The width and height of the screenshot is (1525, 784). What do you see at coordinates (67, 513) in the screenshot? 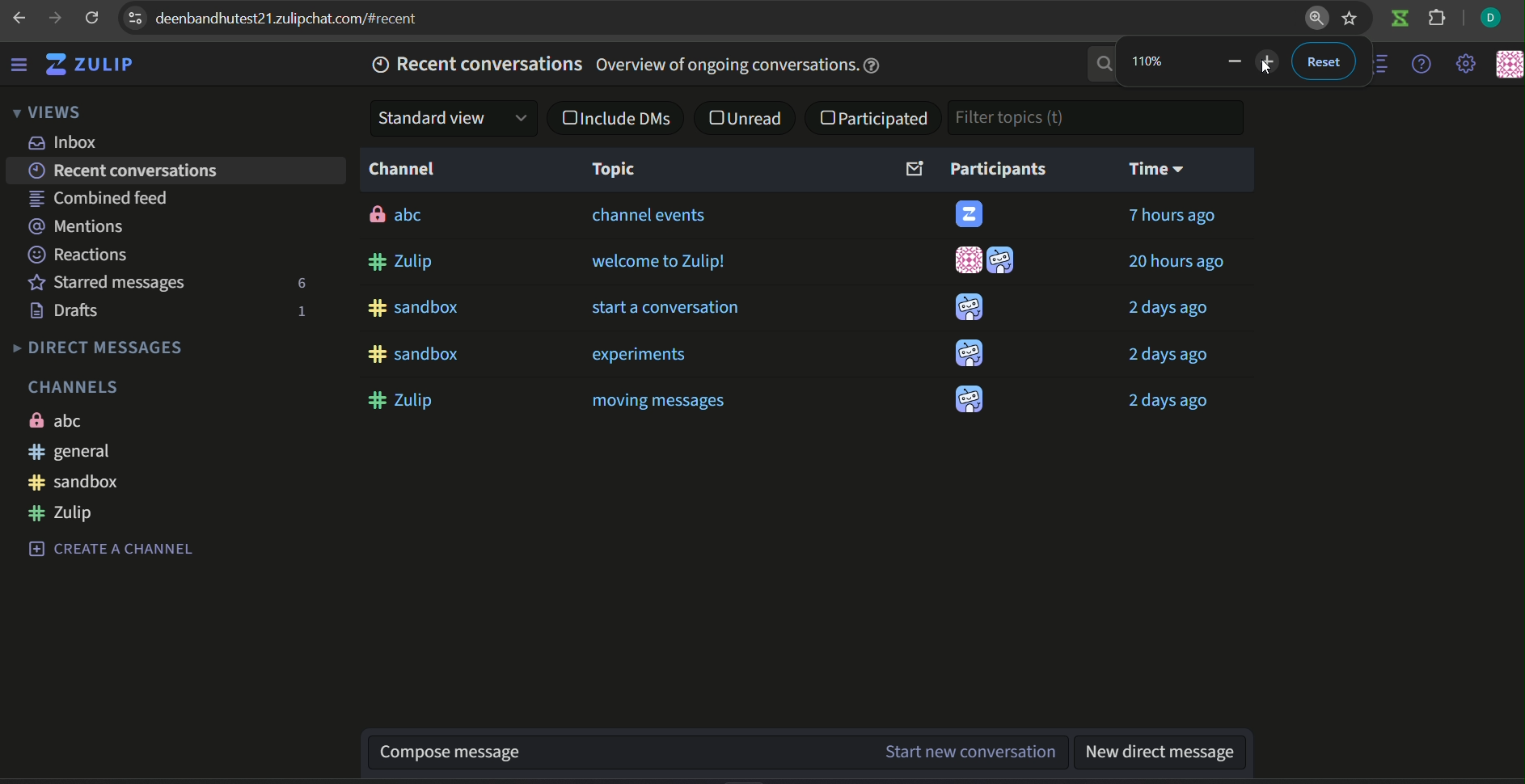
I see `#zulip` at bounding box center [67, 513].